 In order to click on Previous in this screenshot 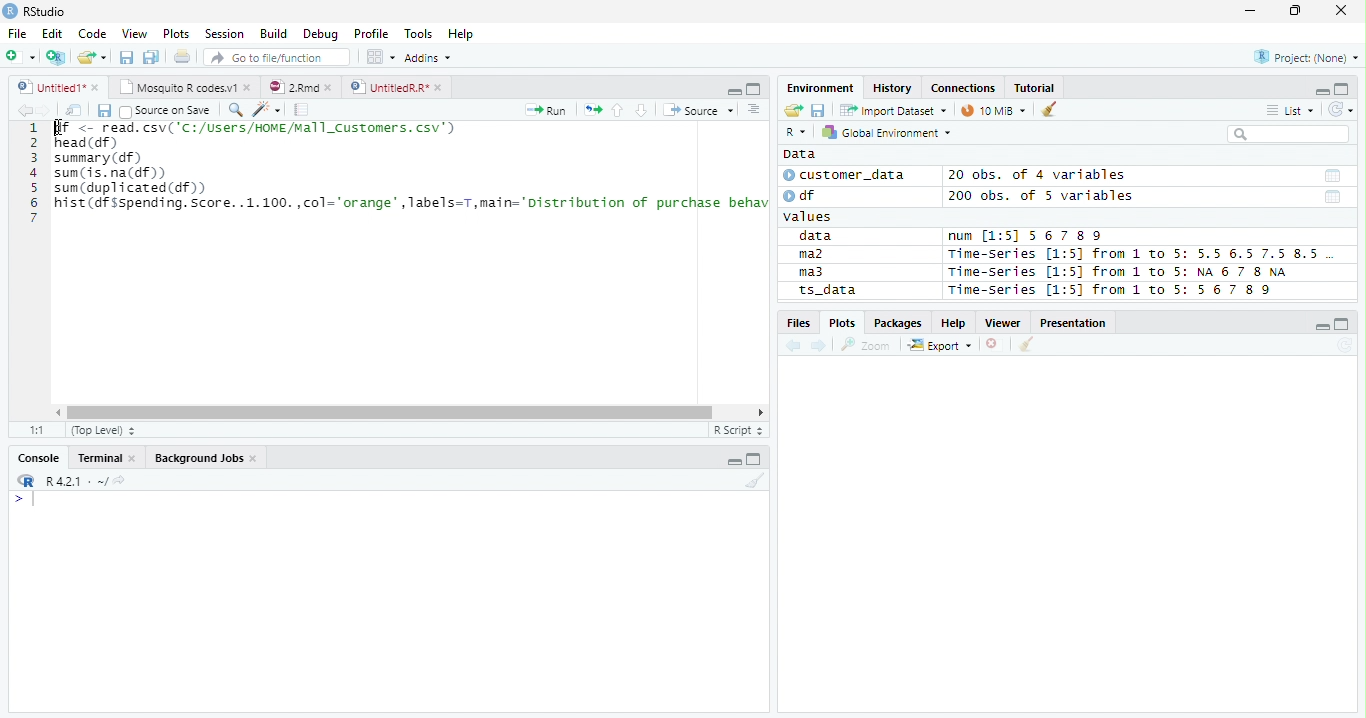, I will do `click(796, 346)`.